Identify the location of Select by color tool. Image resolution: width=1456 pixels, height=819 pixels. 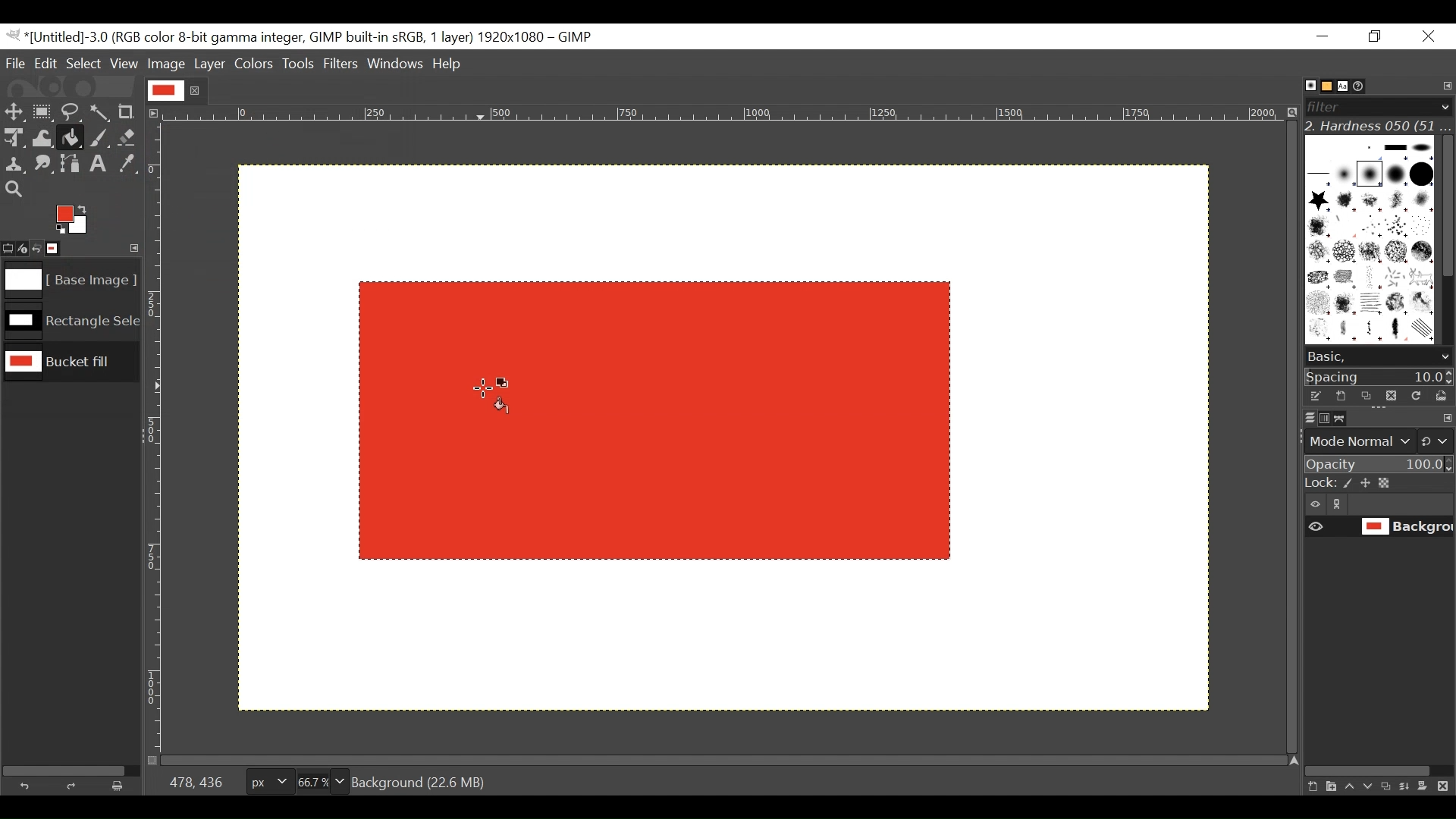
(102, 111).